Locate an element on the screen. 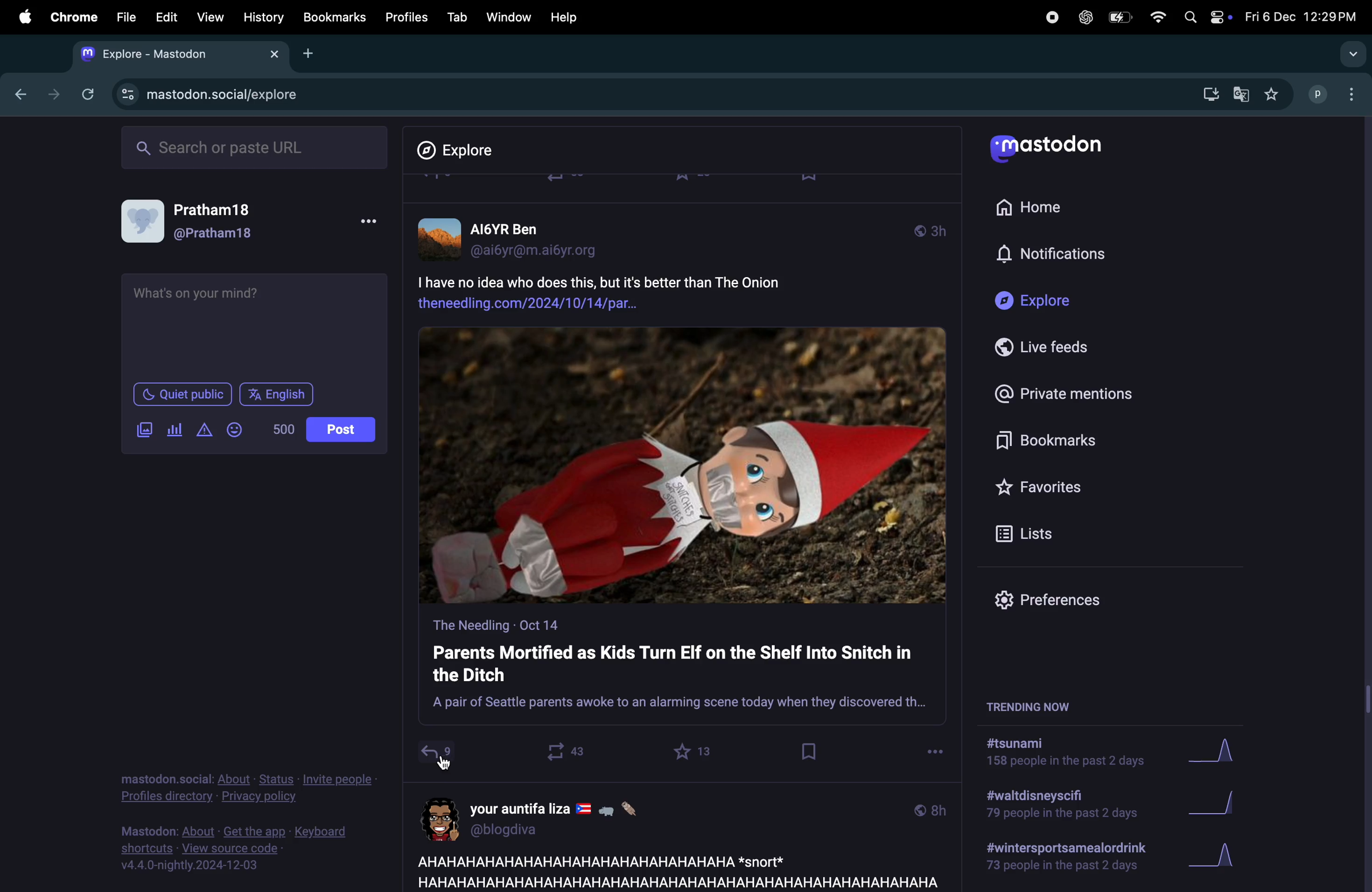 Image resolution: width=1372 pixels, height=892 pixels. profiles is located at coordinates (402, 17).